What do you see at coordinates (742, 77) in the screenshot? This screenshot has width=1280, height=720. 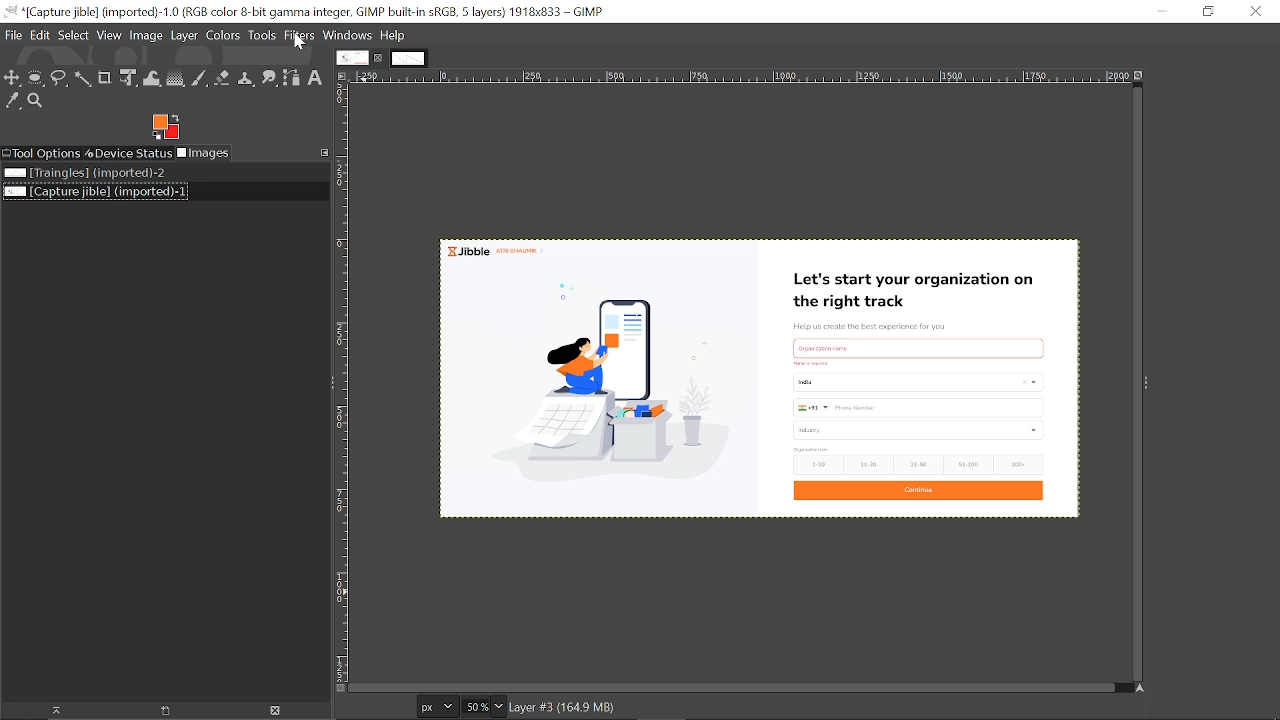 I see `Horizontal label` at bounding box center [742, 77].